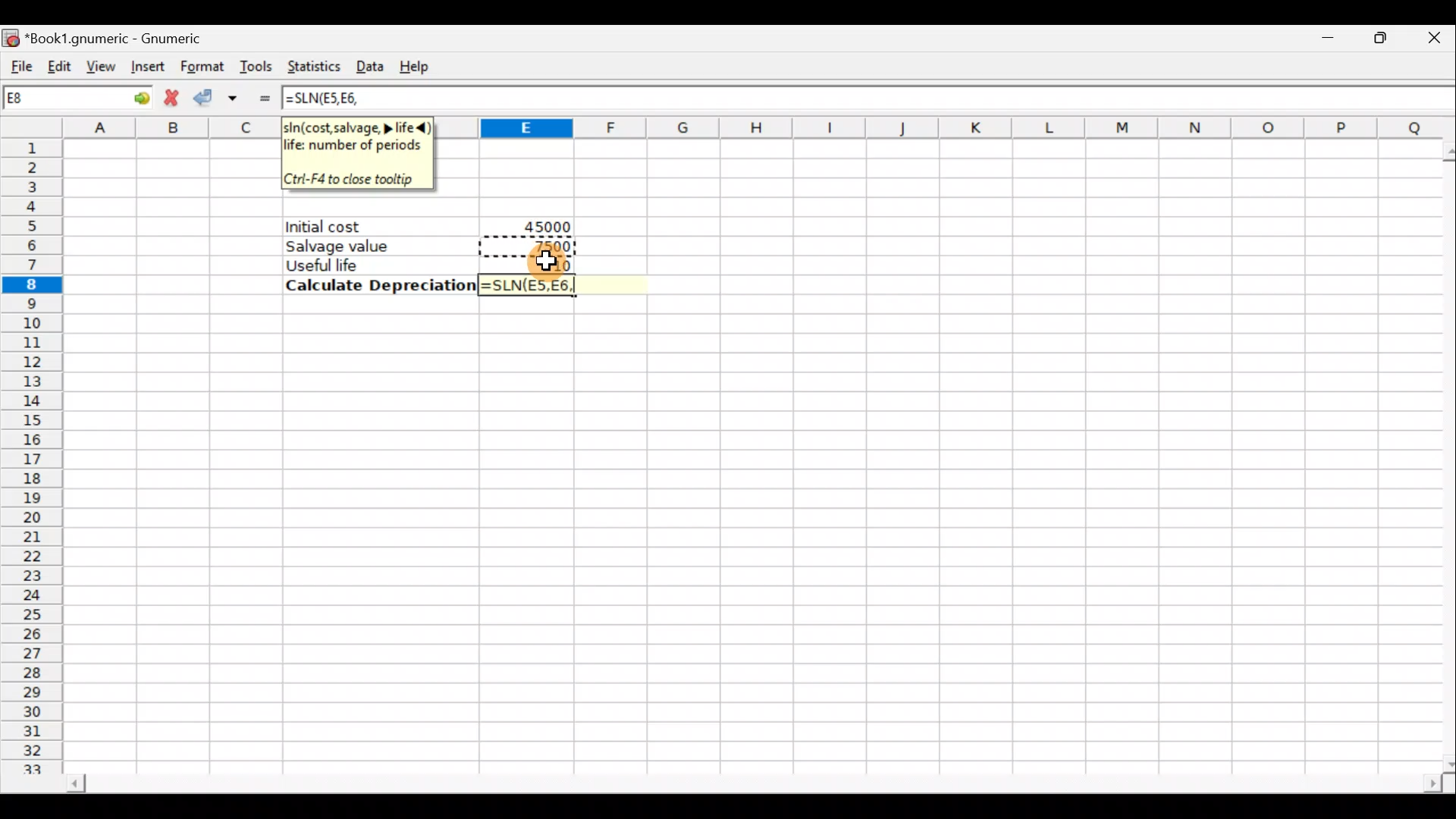 This screenshot has height=819, width=1456. I want to click on *Book1.gnumeric - Gnumeric, so click(133, 38).